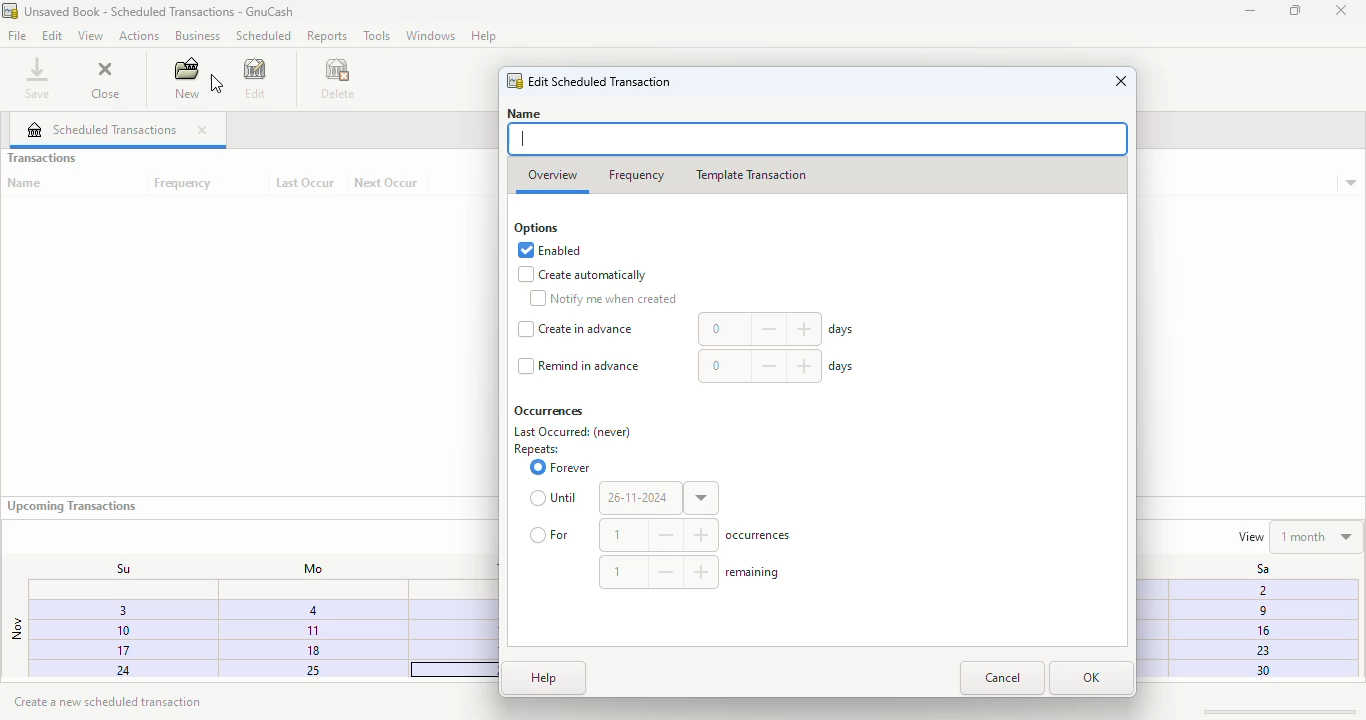 This screenshot has width=1366, height=720. Describe the element at coordinates (659, 498) in the screenshot. I see `26-11-2024` at that location.